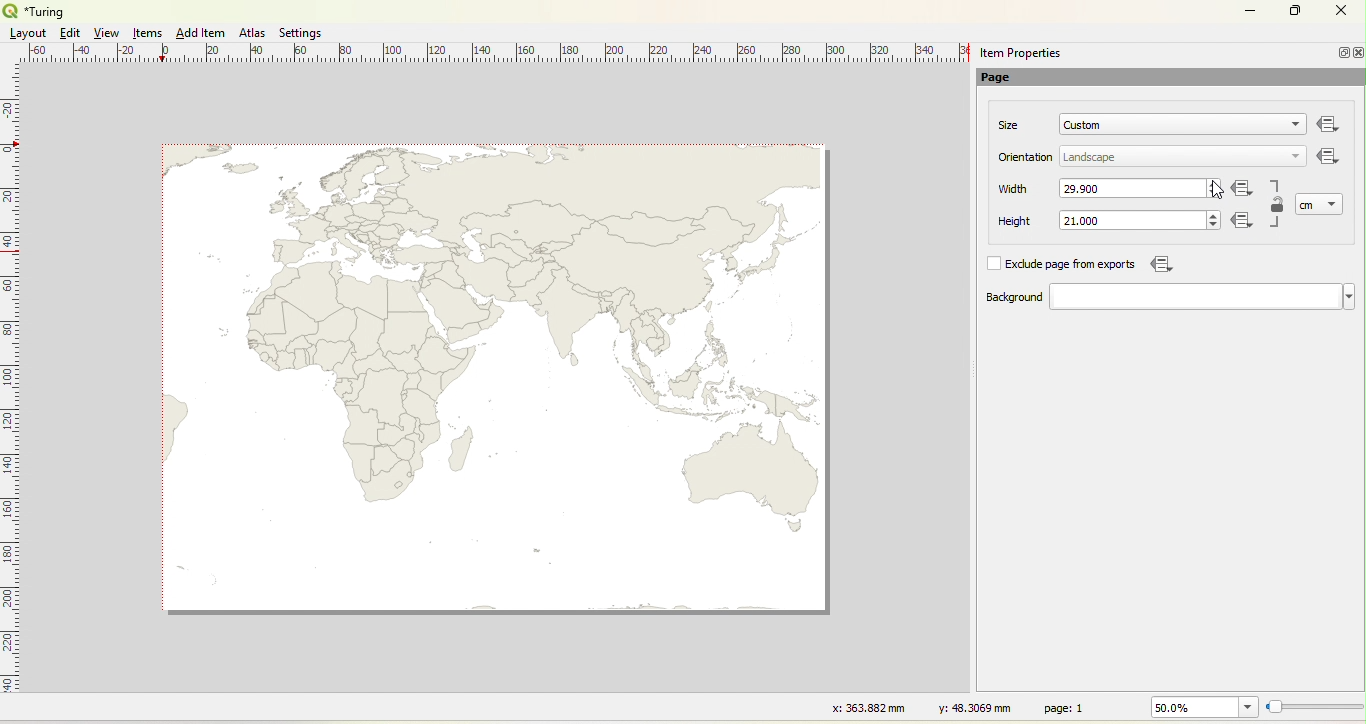 The image size is (1366, 724). What do you see at coordinates (1027, 157) in the screenshot?
I see `Orientation` at bounding box center [1027, 157].